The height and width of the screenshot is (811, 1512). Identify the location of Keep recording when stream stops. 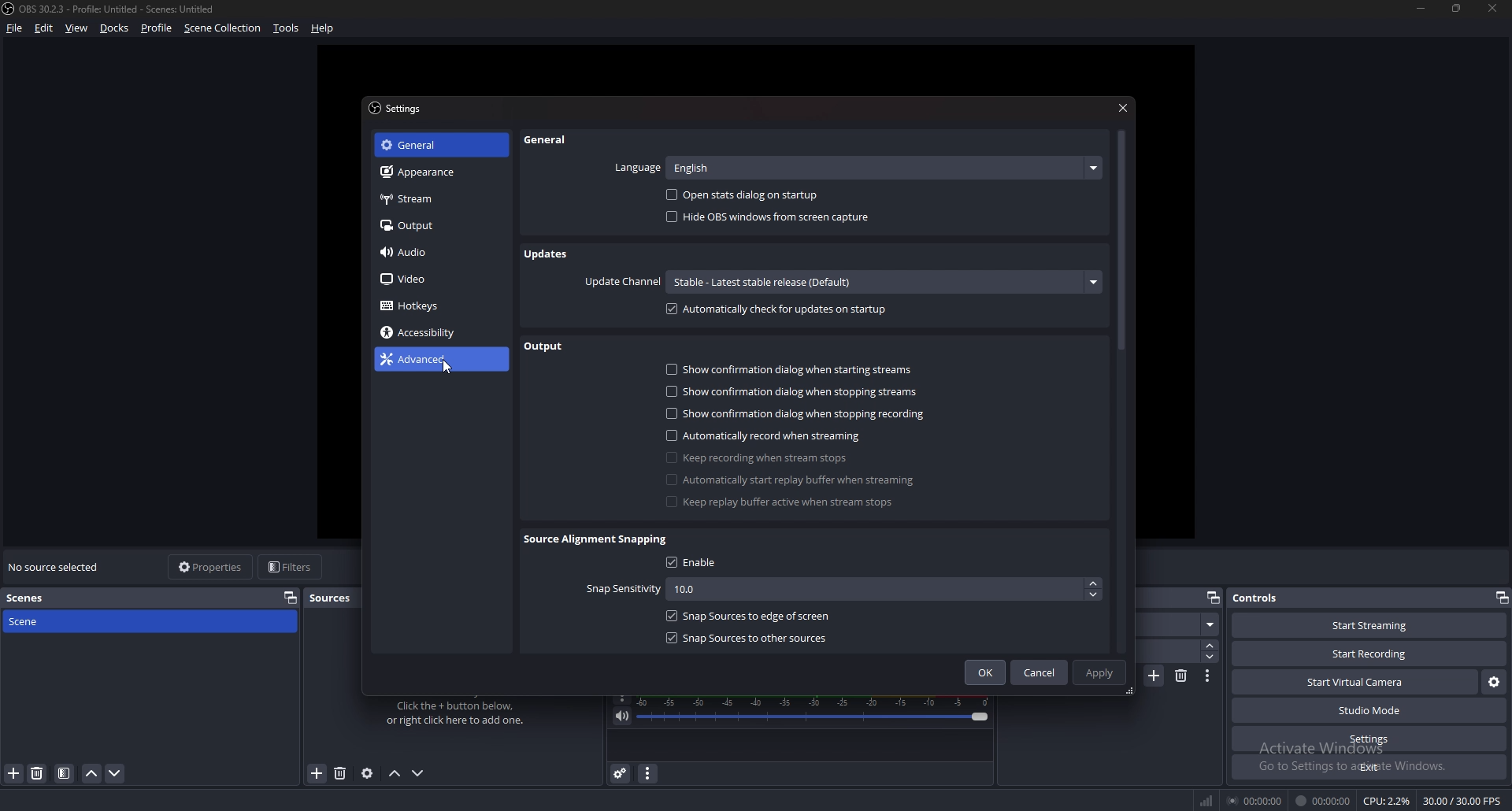
(757, 457).